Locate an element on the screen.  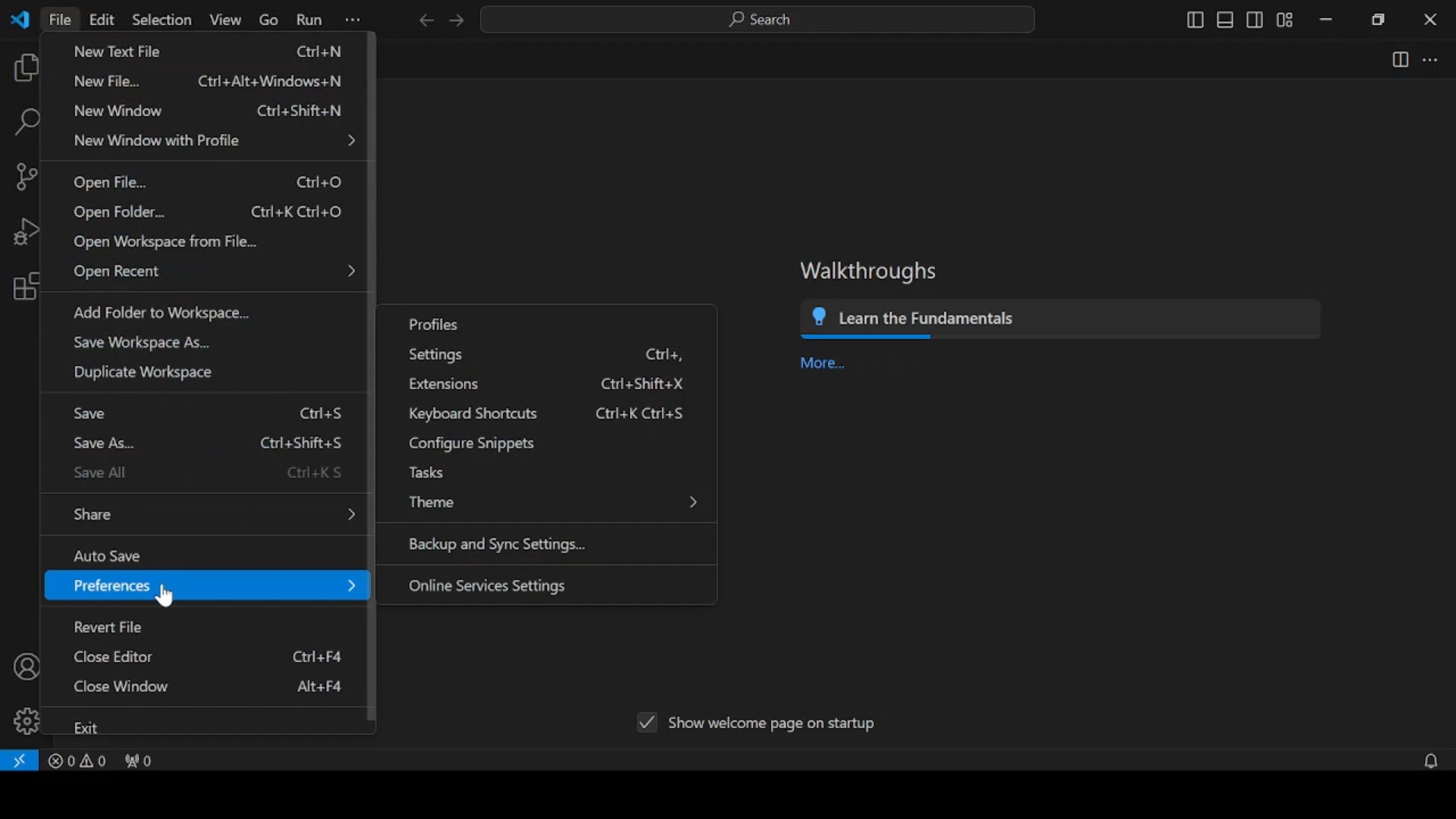
ctrl+S is located at coordinates (322, 412).